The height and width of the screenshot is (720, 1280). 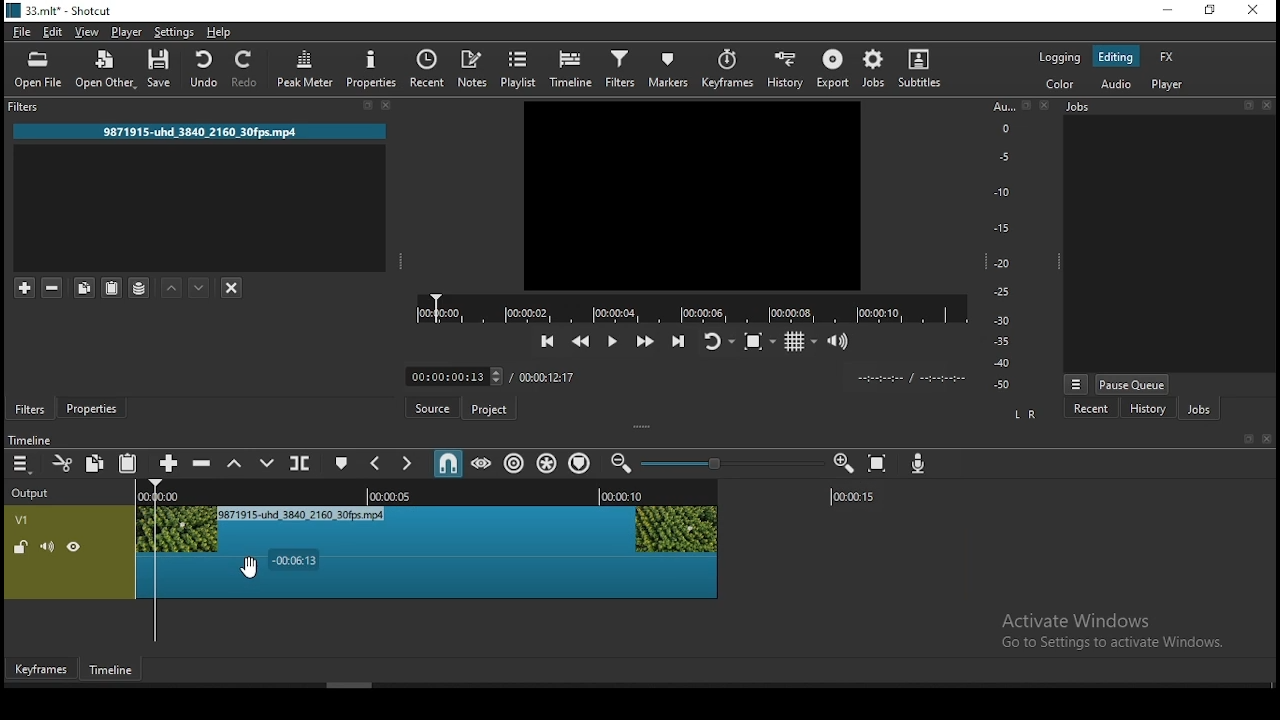 What do you see at coordinates (174, 32) in the screenshot?
I see `settings` at bounding box center [174, 32].